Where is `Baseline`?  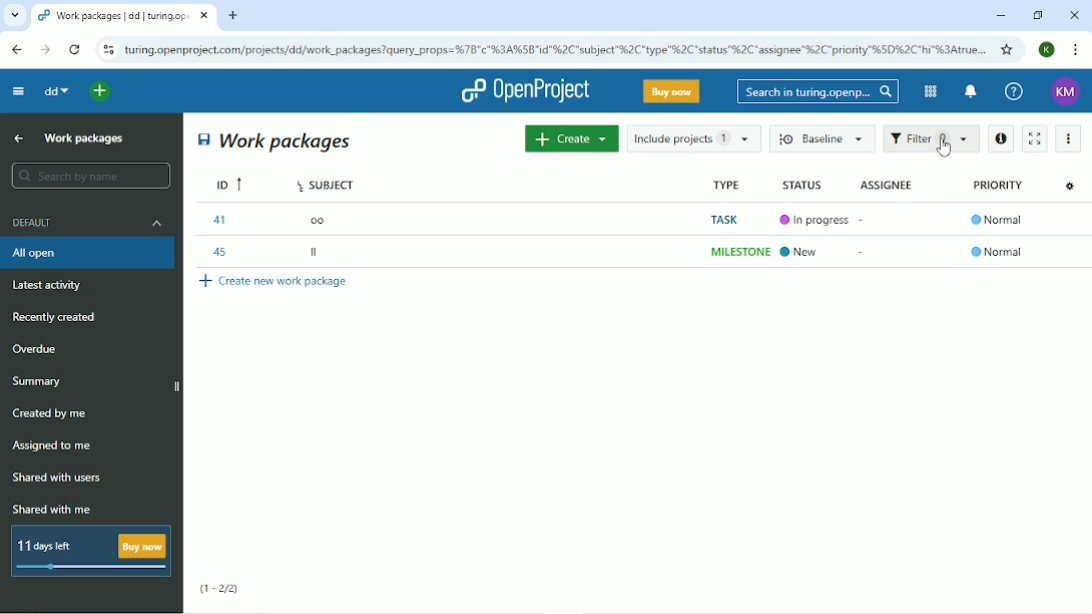
Baseline is located at coordinates (824, 138).